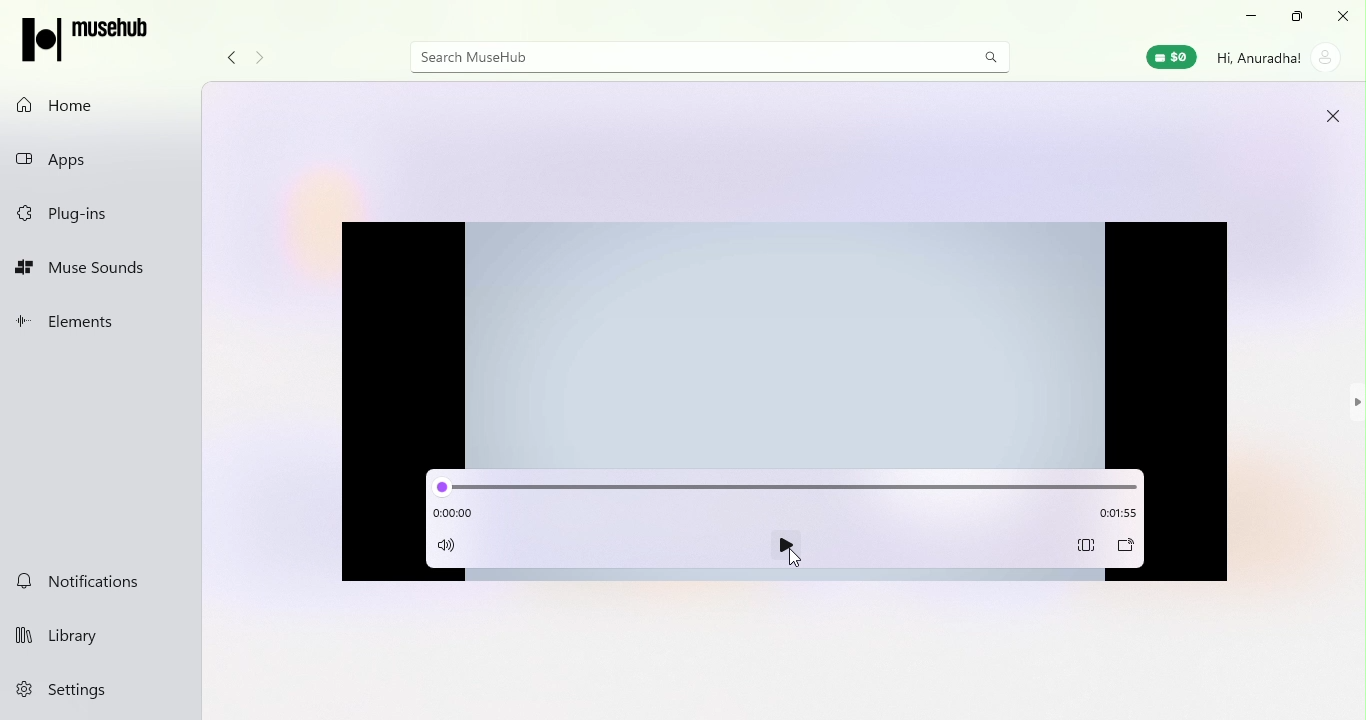 The height and width of the screenshot is (720, 1366). What do you see at coordinates (99, 104) in the screenshot?
I see `Home` at bounding box center [99, 104].